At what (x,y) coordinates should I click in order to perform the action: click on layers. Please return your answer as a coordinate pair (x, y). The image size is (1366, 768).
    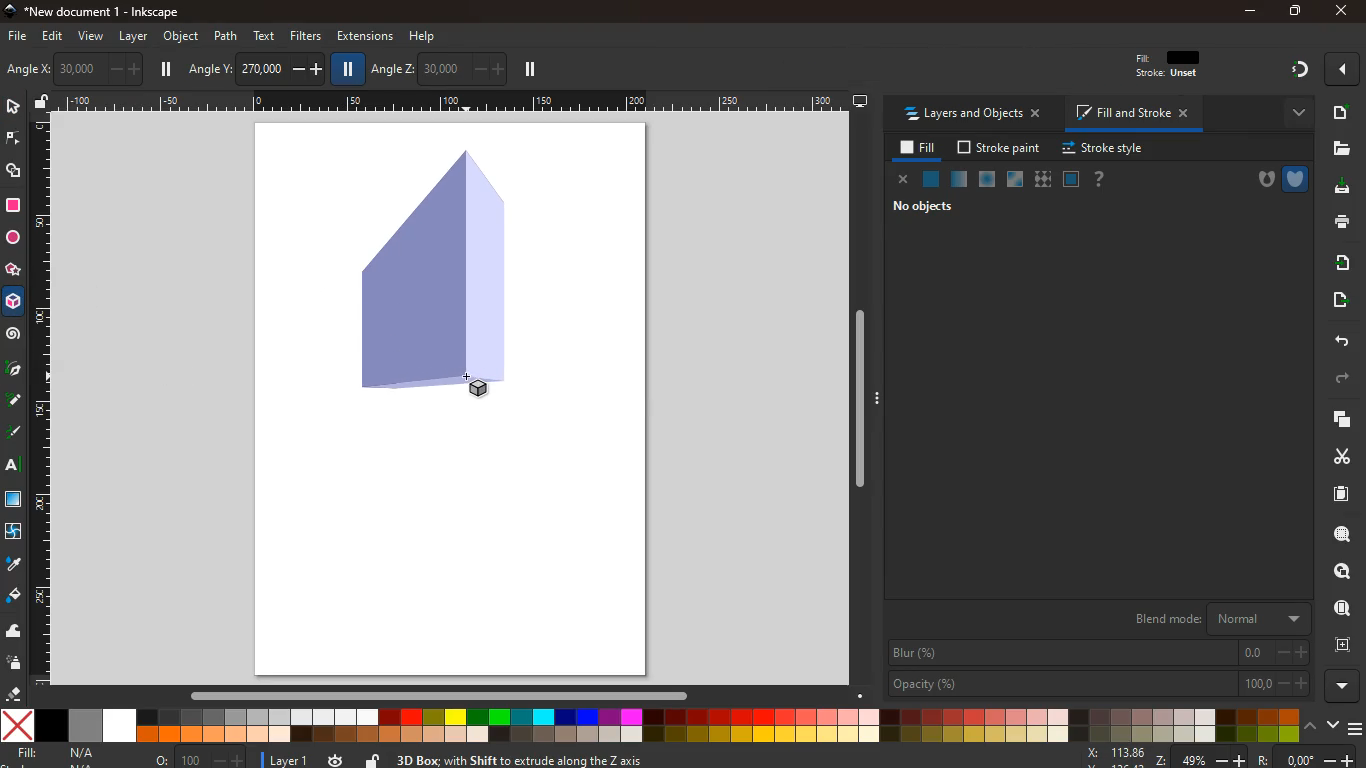
    Looking at the image, I should click on (1338, 421).